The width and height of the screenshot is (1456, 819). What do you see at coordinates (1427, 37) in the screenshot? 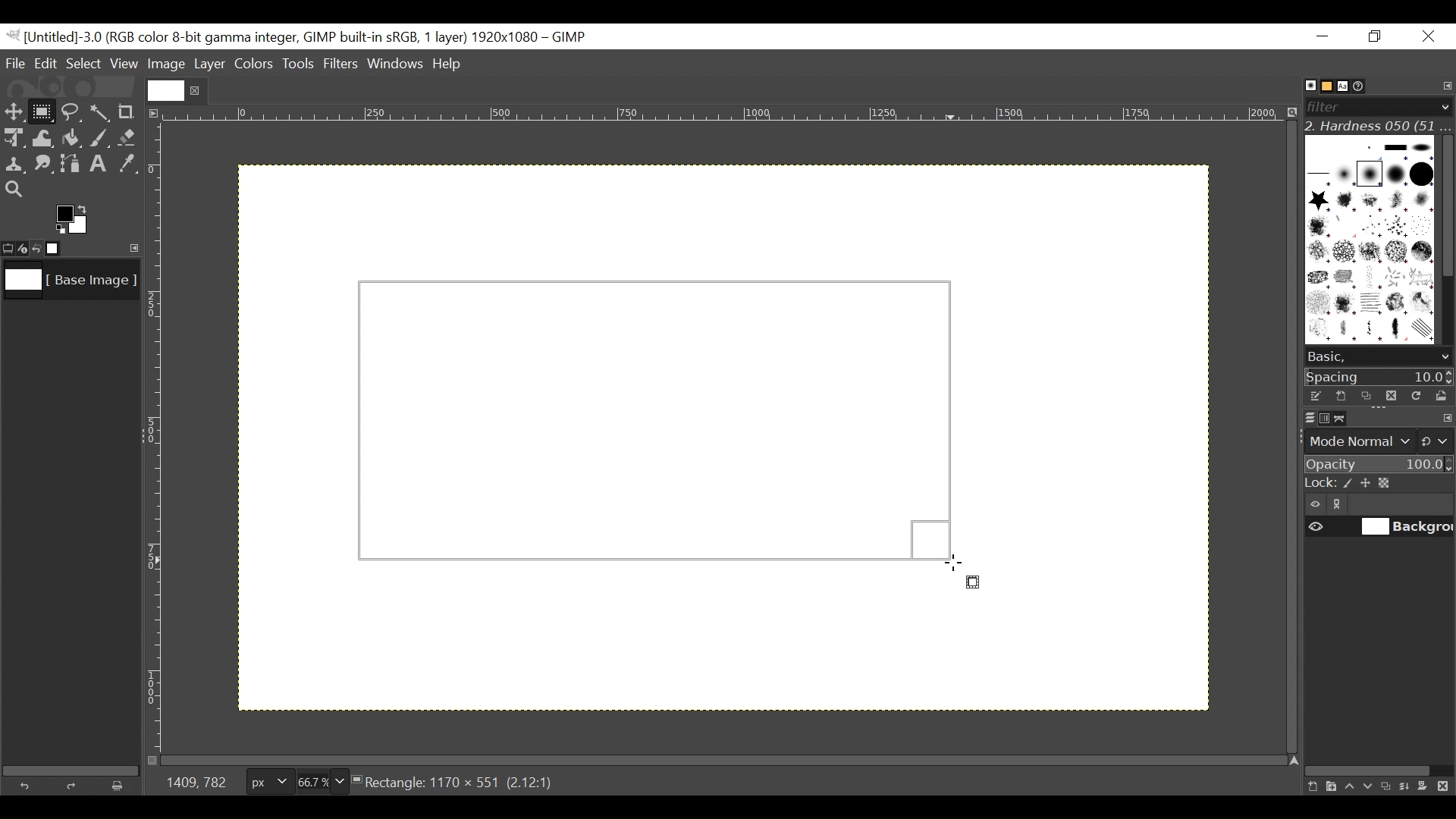
I see `Close` at bounding box center [1427, 37].